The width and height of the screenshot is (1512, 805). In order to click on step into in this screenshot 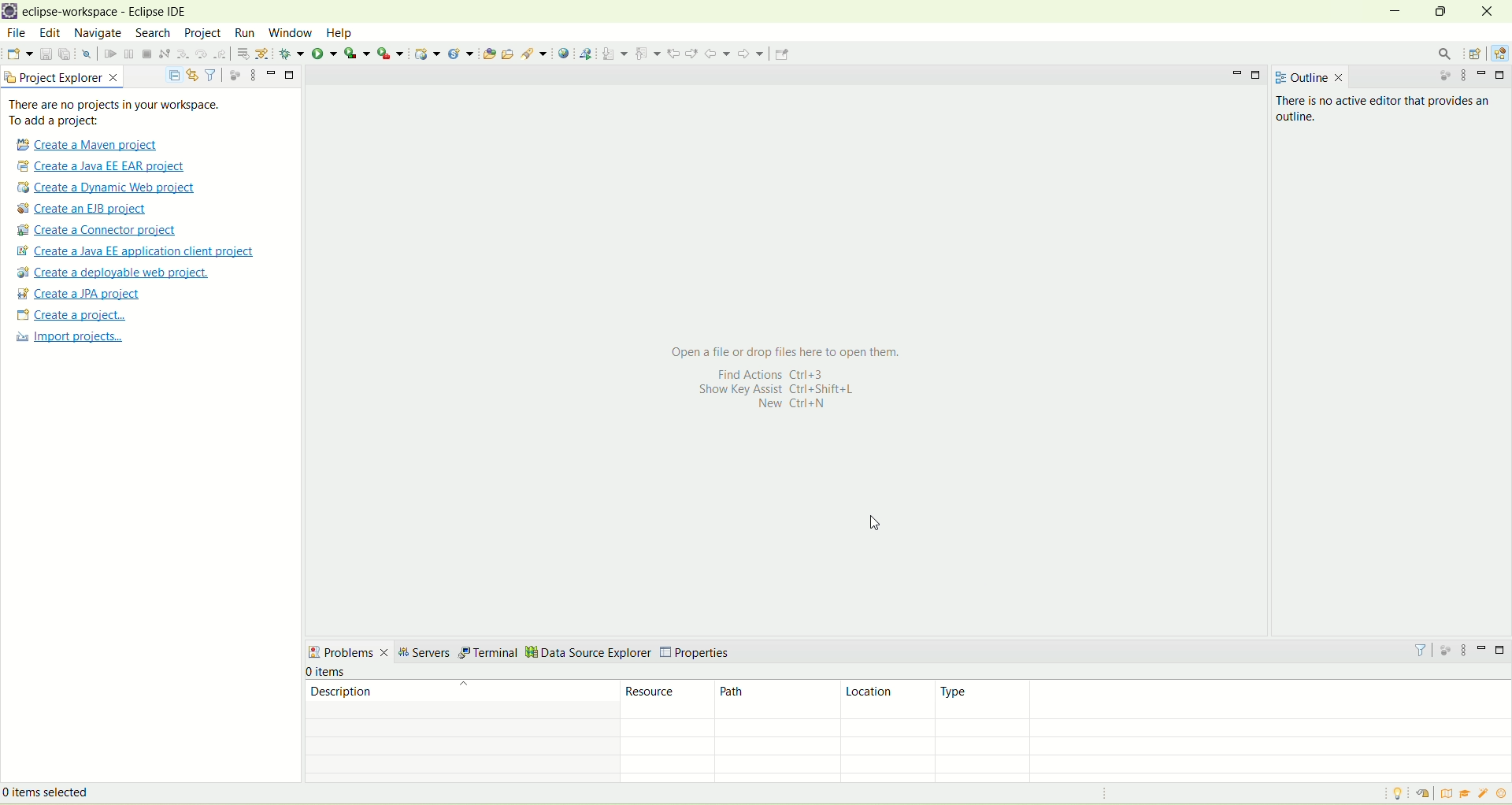, I will do `click(246, 56)`.